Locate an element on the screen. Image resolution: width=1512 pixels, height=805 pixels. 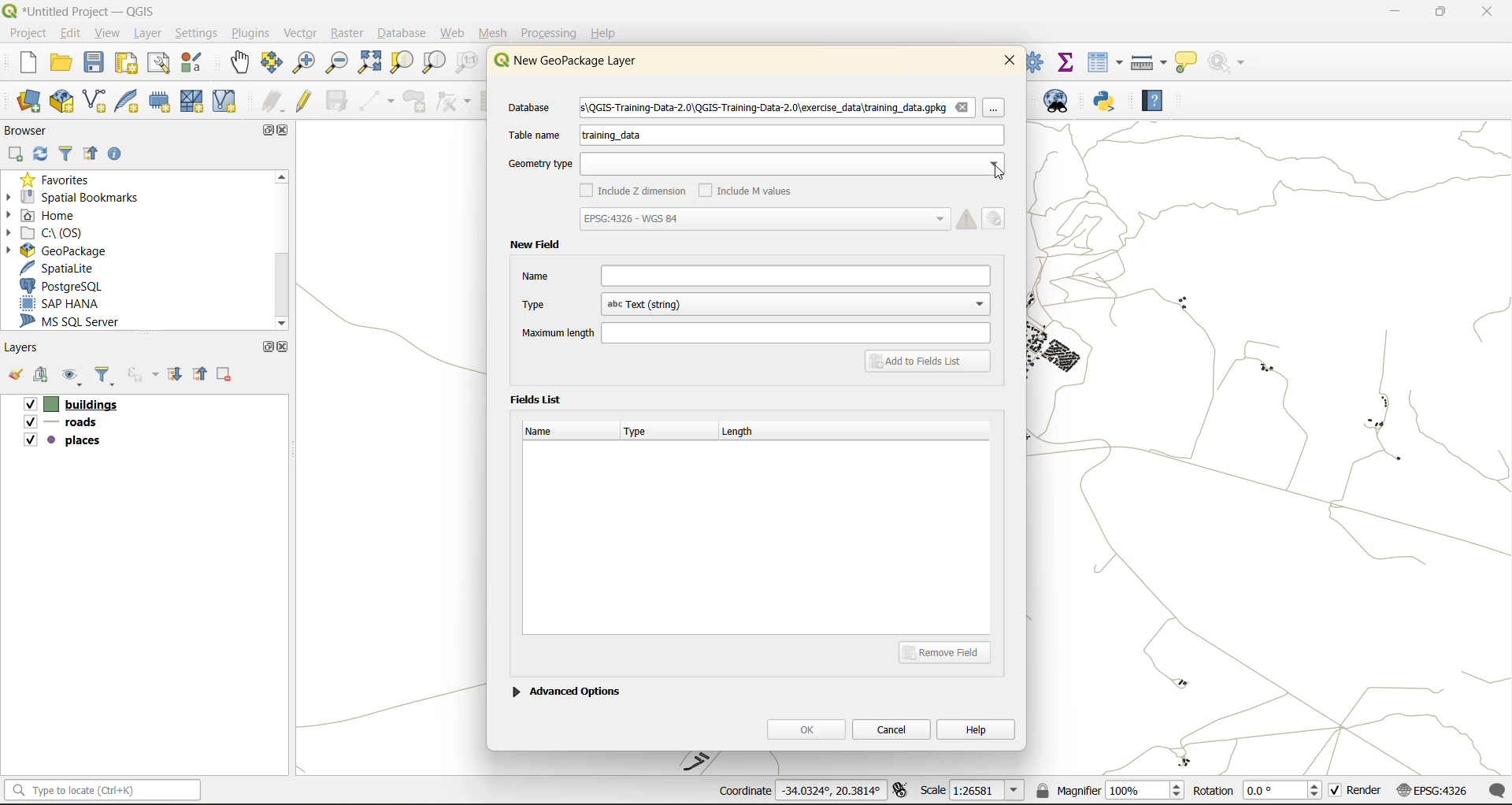
python is located at coordinates (1105, 102).